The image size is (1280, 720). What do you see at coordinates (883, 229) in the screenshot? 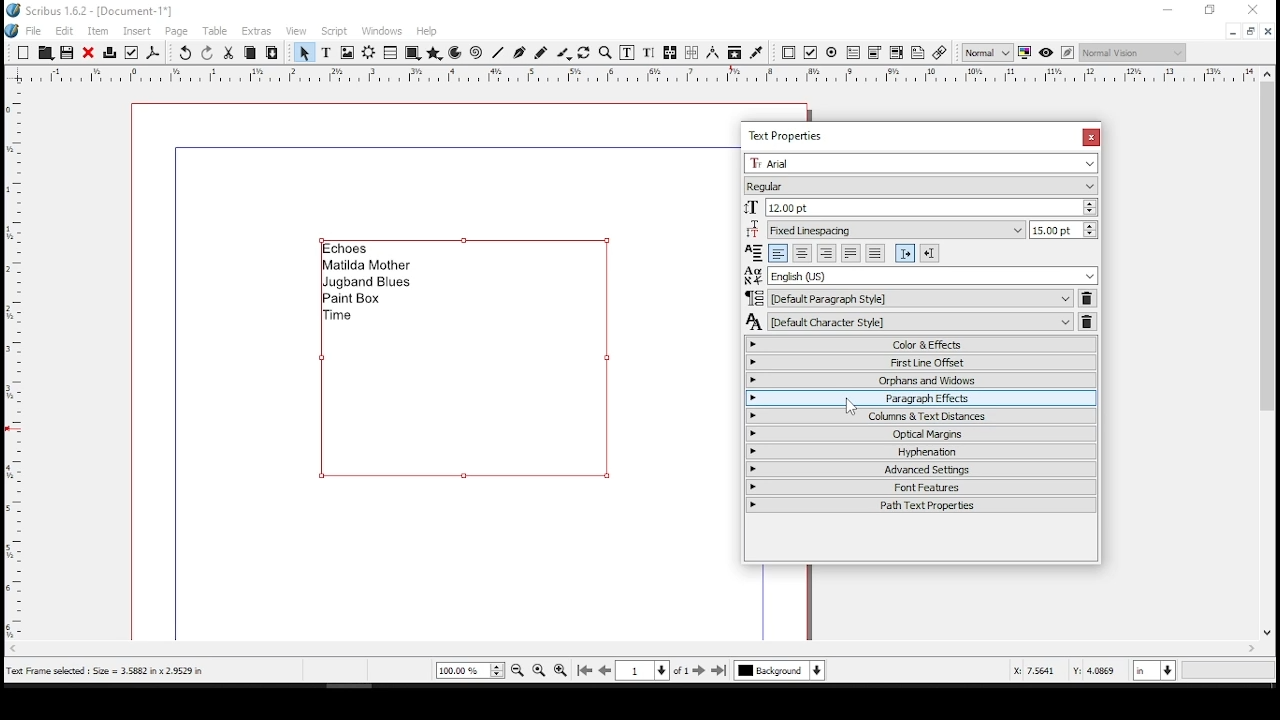
I see `line spacing mode` at bounding box center [883, 229].